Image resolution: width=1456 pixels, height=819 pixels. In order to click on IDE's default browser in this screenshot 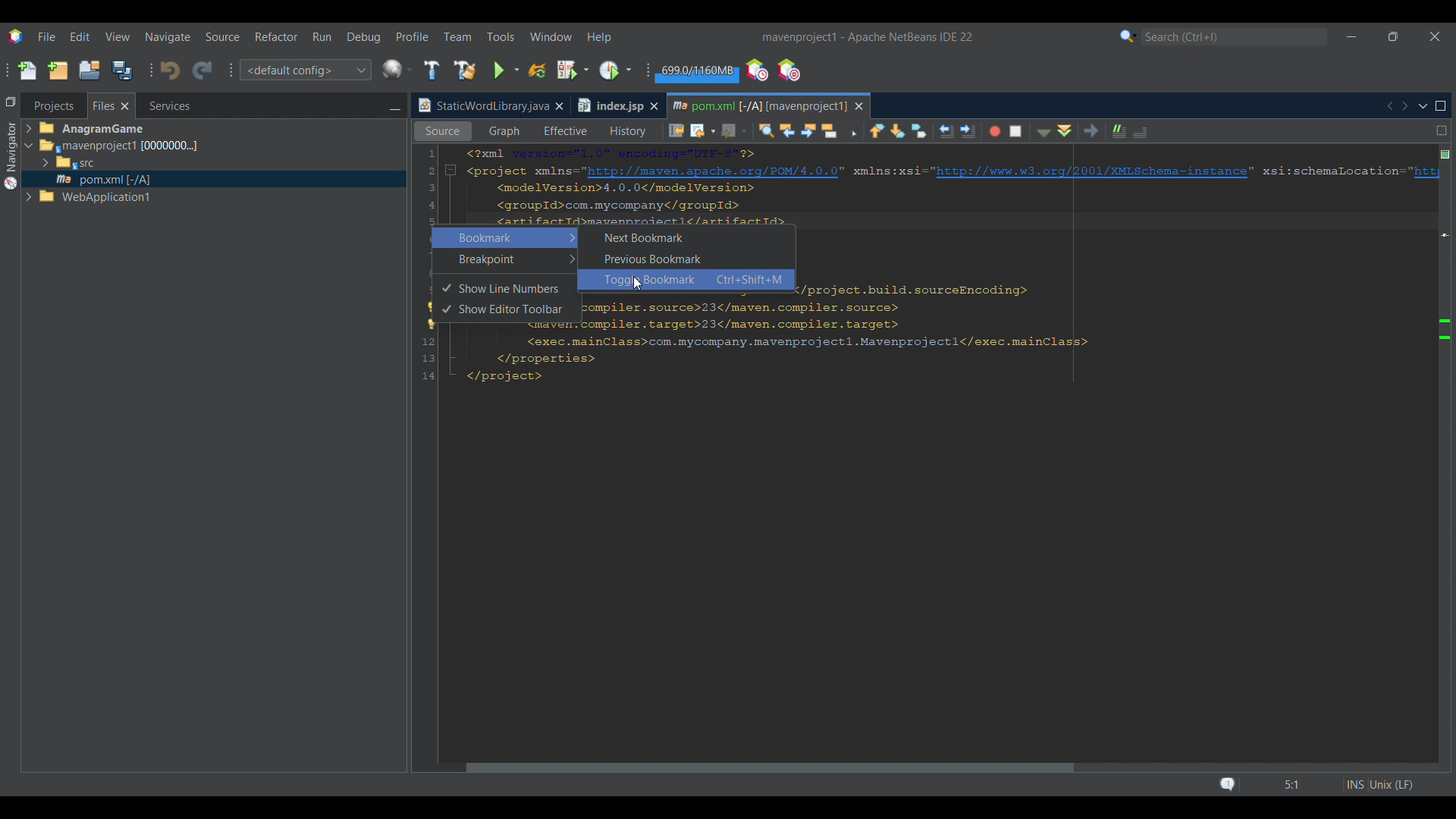, I will do `click(397, 70)`.